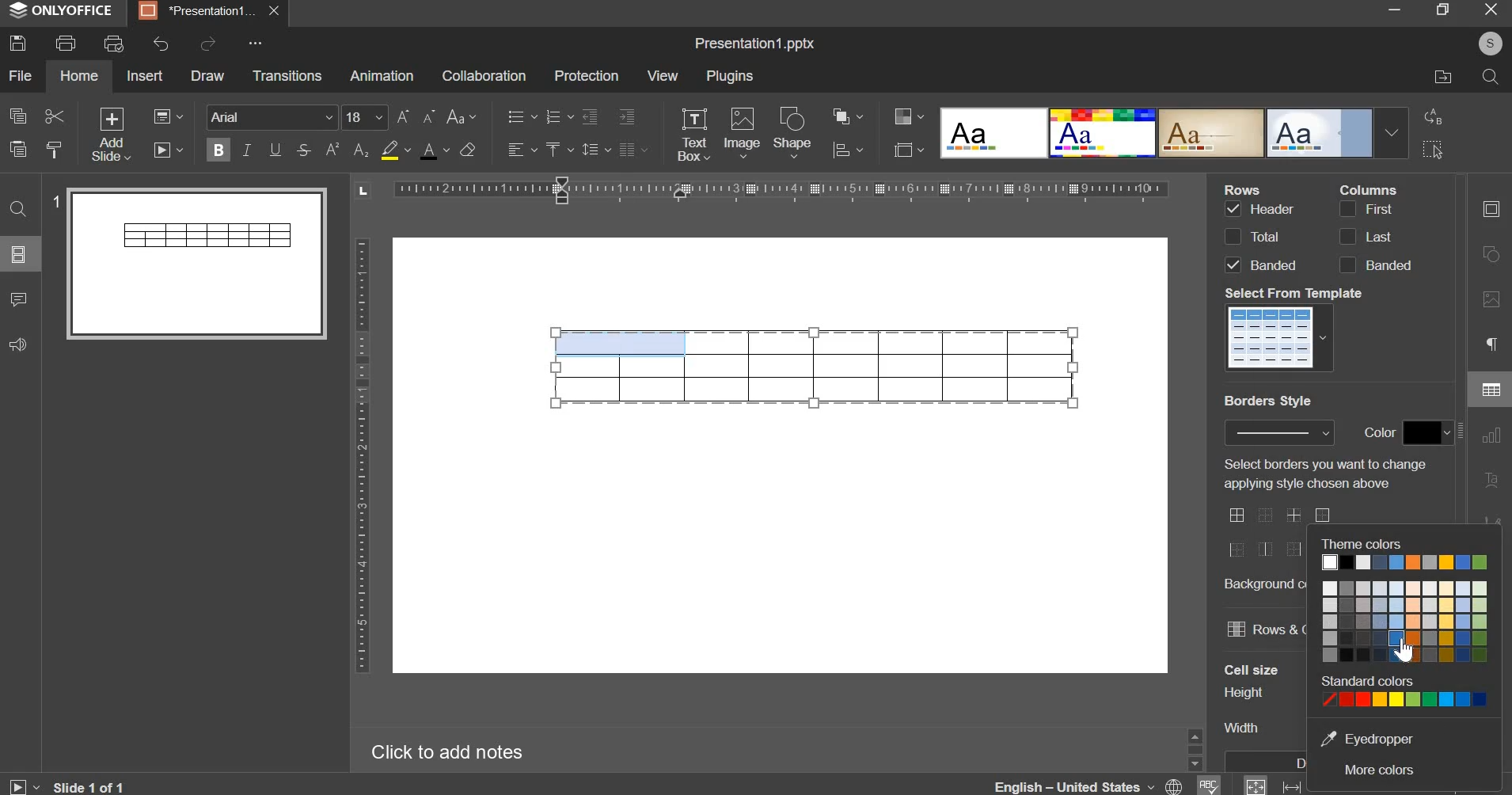 The height and width of the screenshot is (795, 1512). Describe the element at coordinates (161, 44) in the screenshot. I see `undo` at that location.